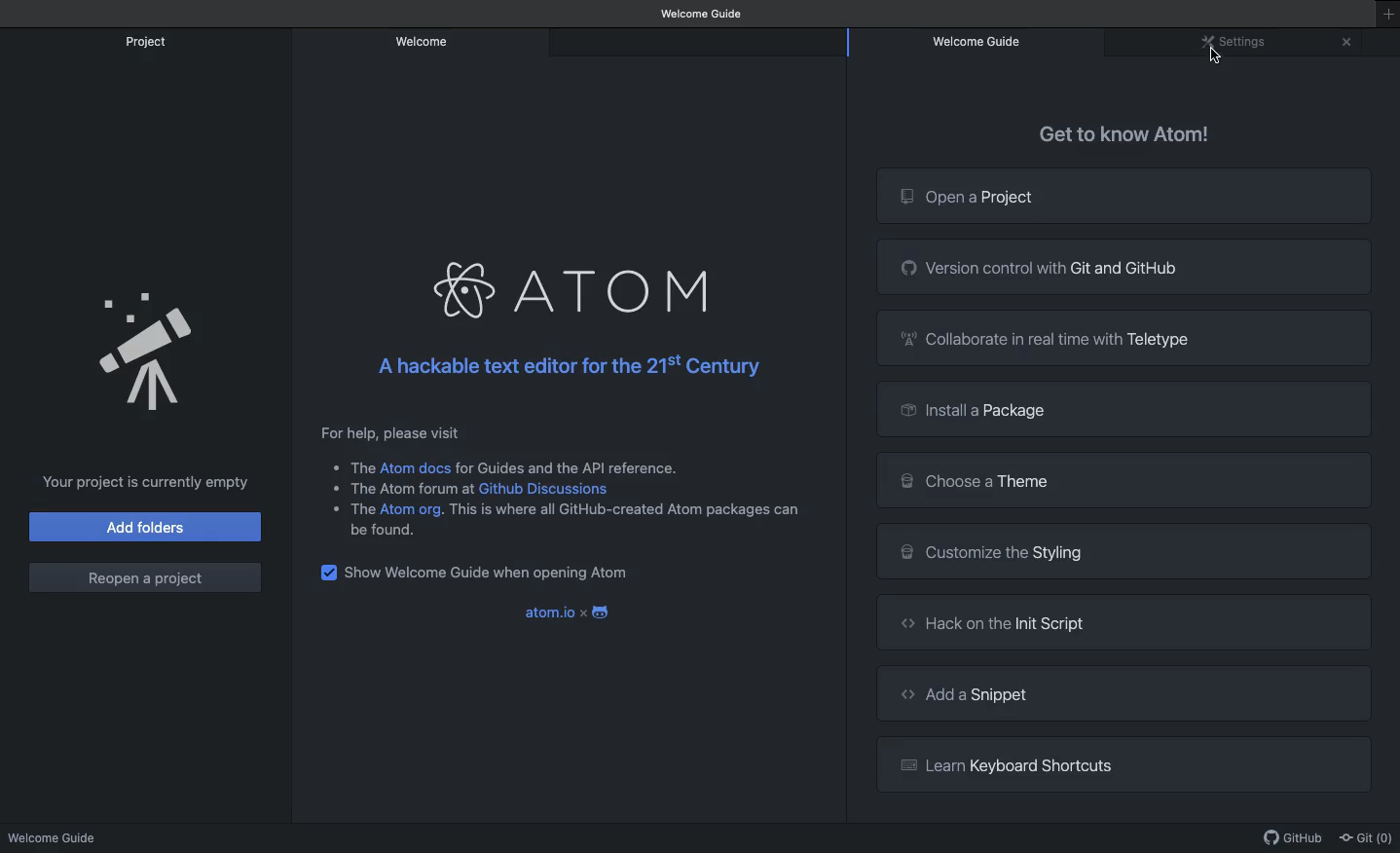  What do you see at coordinates (145, 527) in the screenshot?
I see `Add folders` at bounding box center [145, 527].